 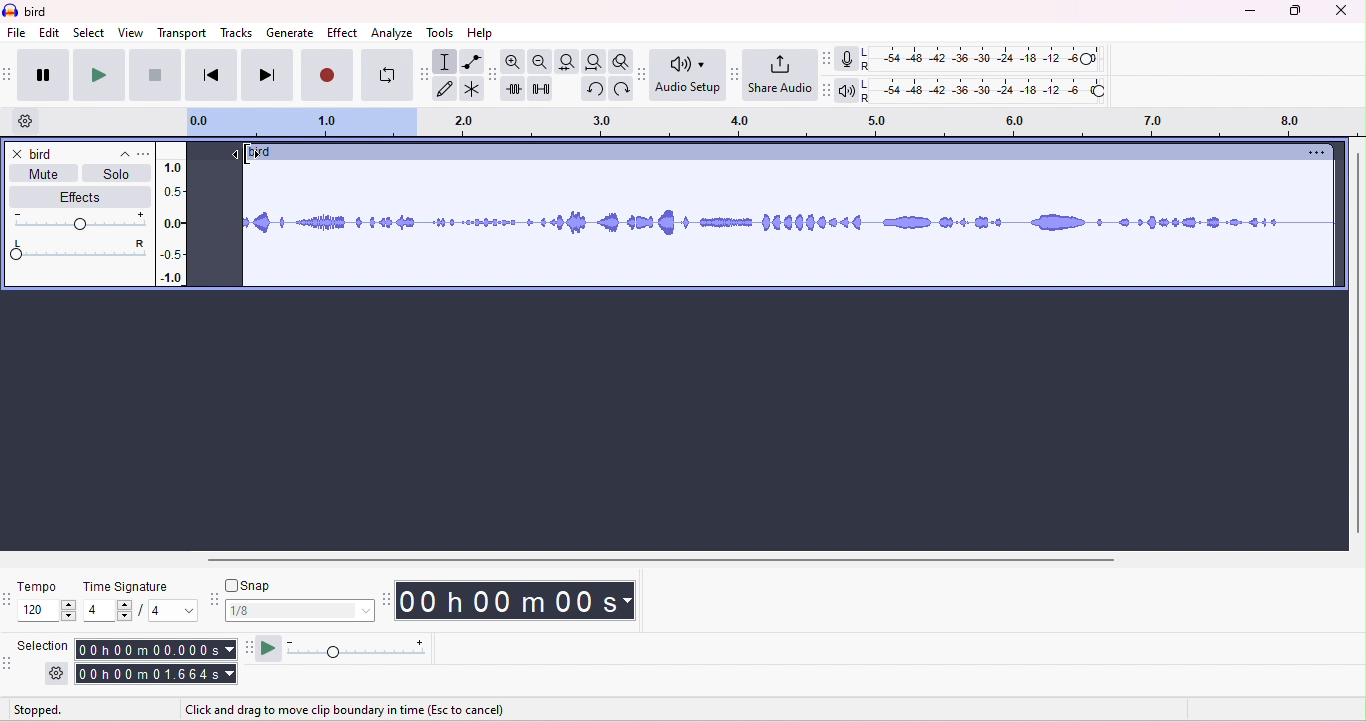 What do you see at coordinates (46, 644) in the screenshot?
I see `selection` at bounding box center [46, 644].